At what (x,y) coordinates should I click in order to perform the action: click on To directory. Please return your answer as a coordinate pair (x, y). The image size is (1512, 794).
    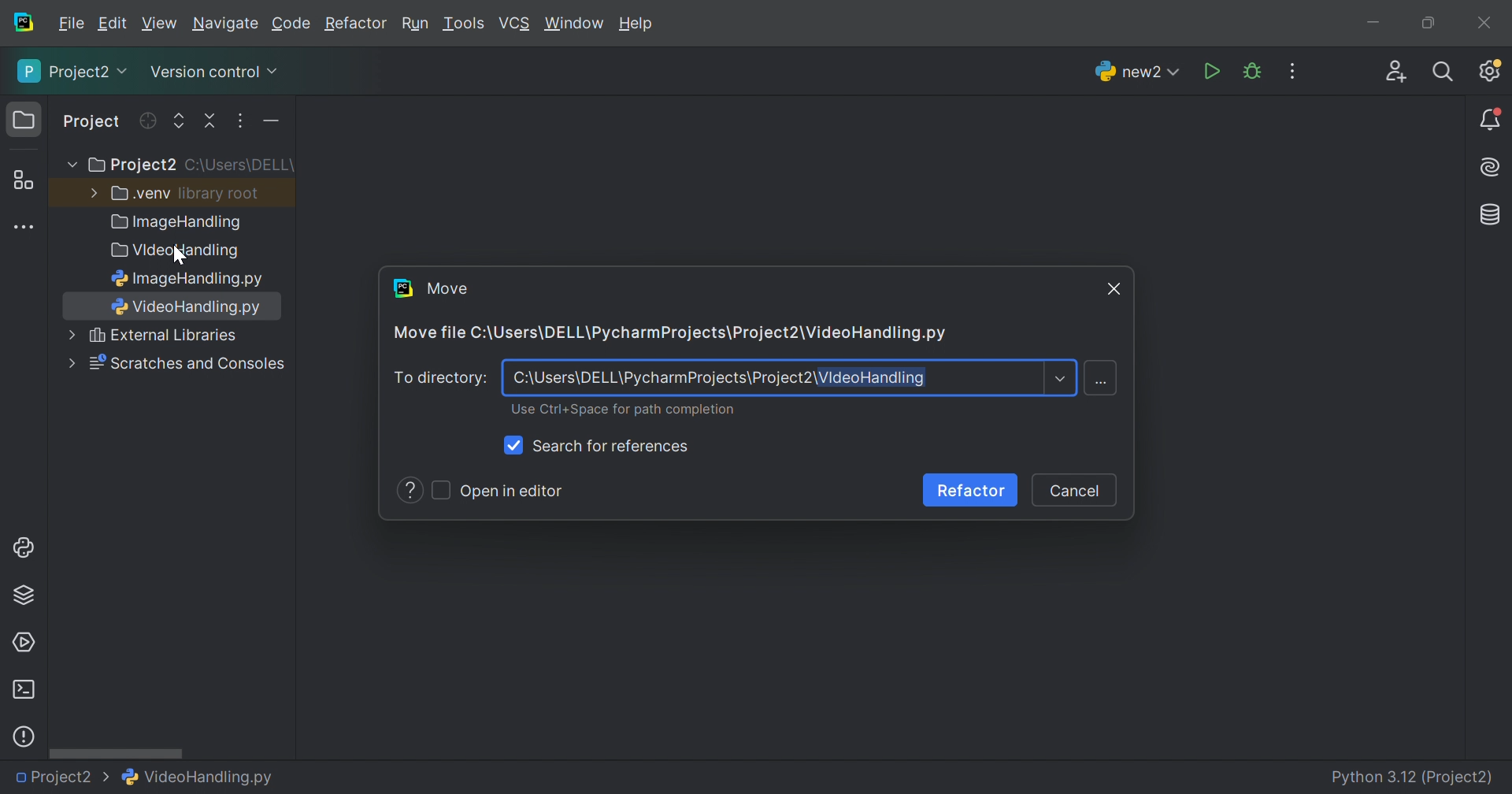
    Looking at the image, I should click on (440, 380).